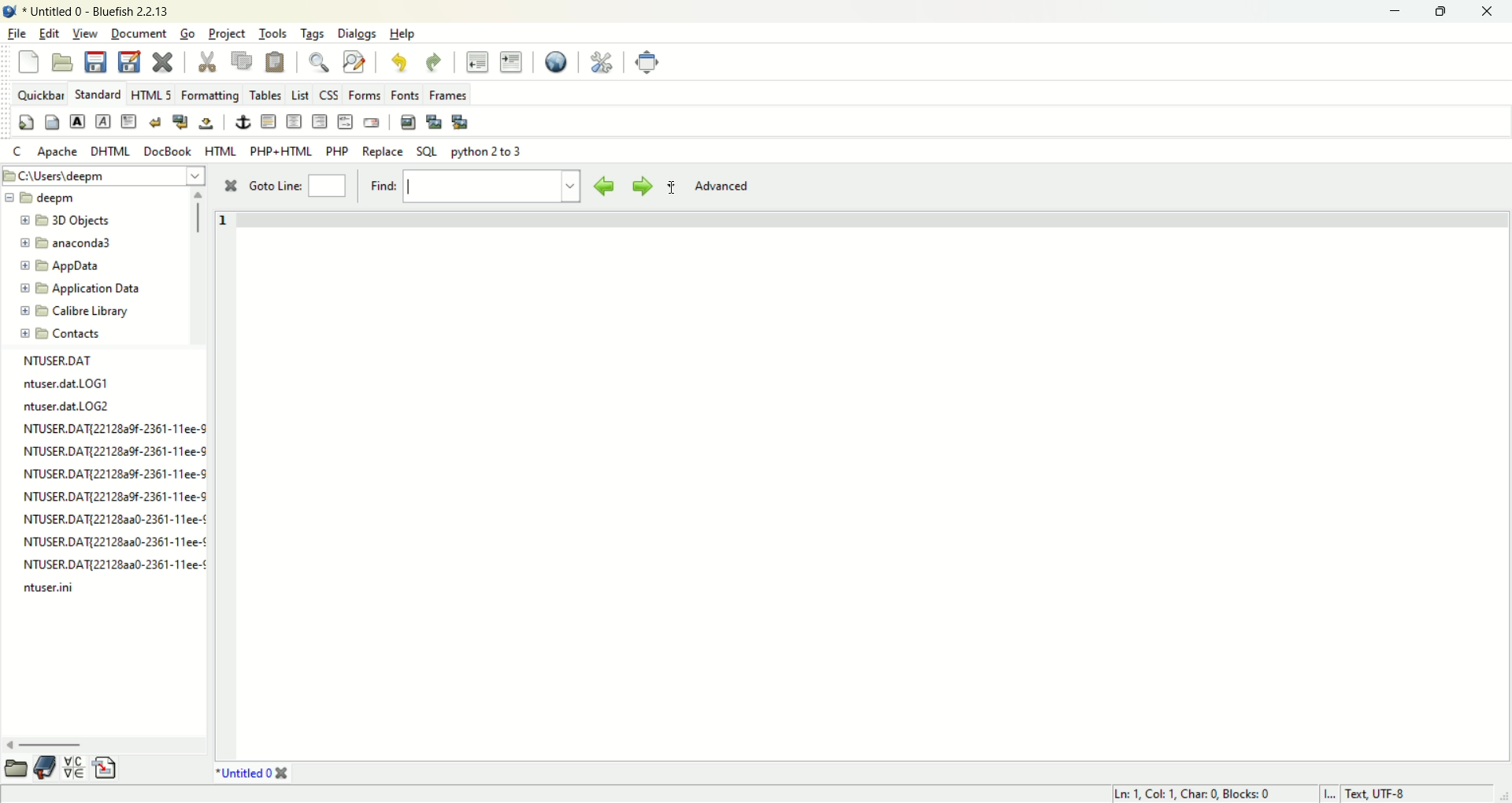 The width and height of the screenshot is (1512, 803). I want to click on previous, so click(604, 185).